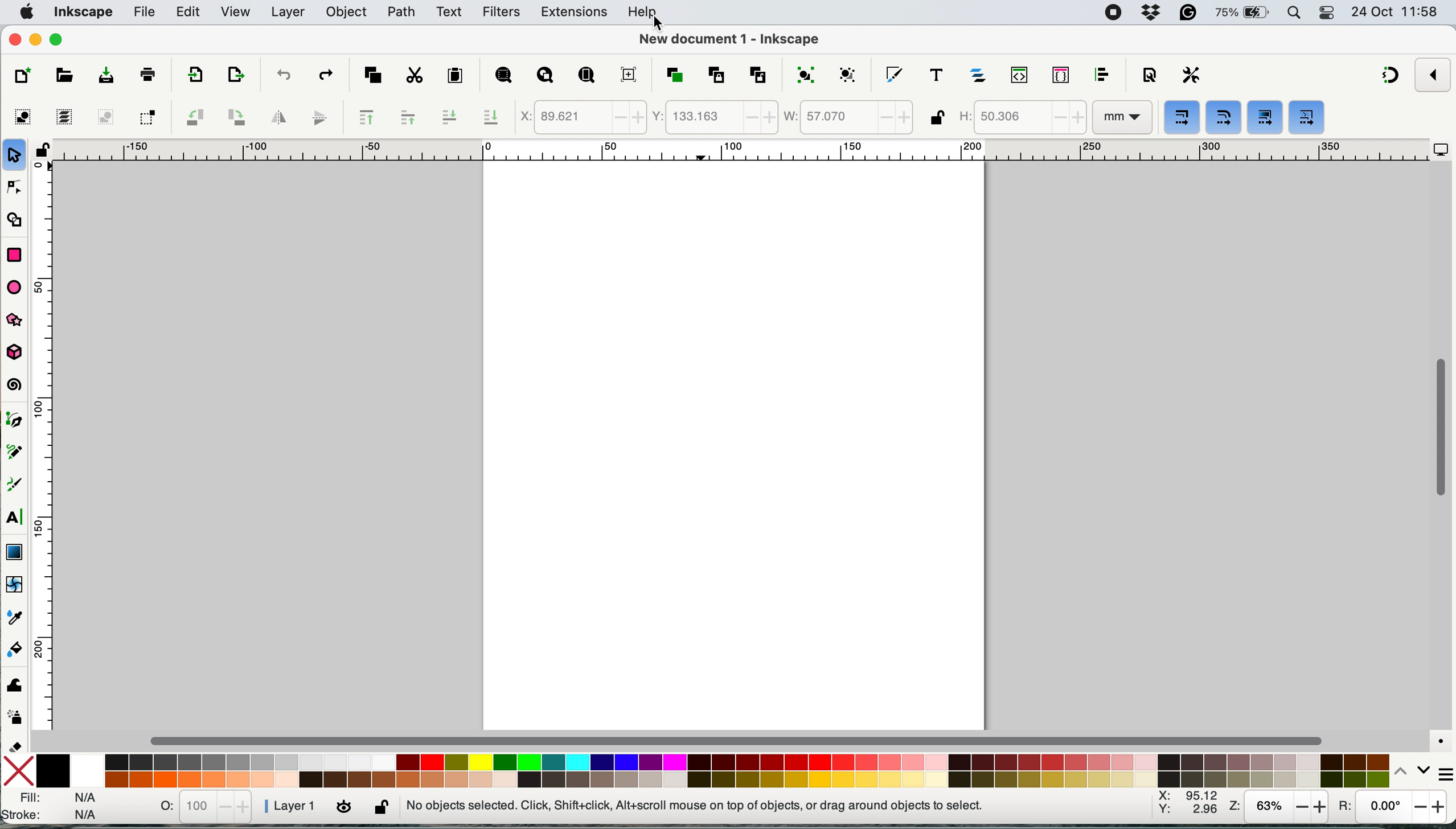  I want to click on switch between palaetes, so click(1414, 769).